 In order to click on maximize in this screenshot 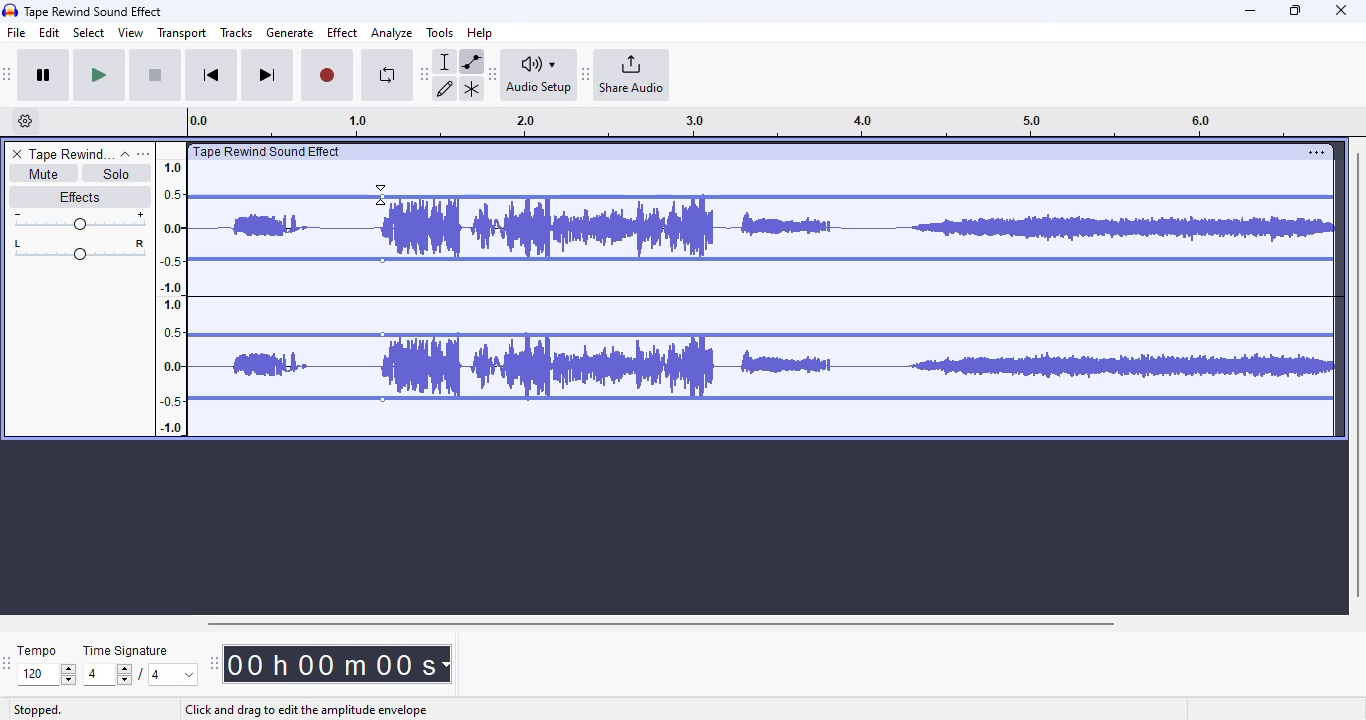, I will do `click(1295, 10)`.